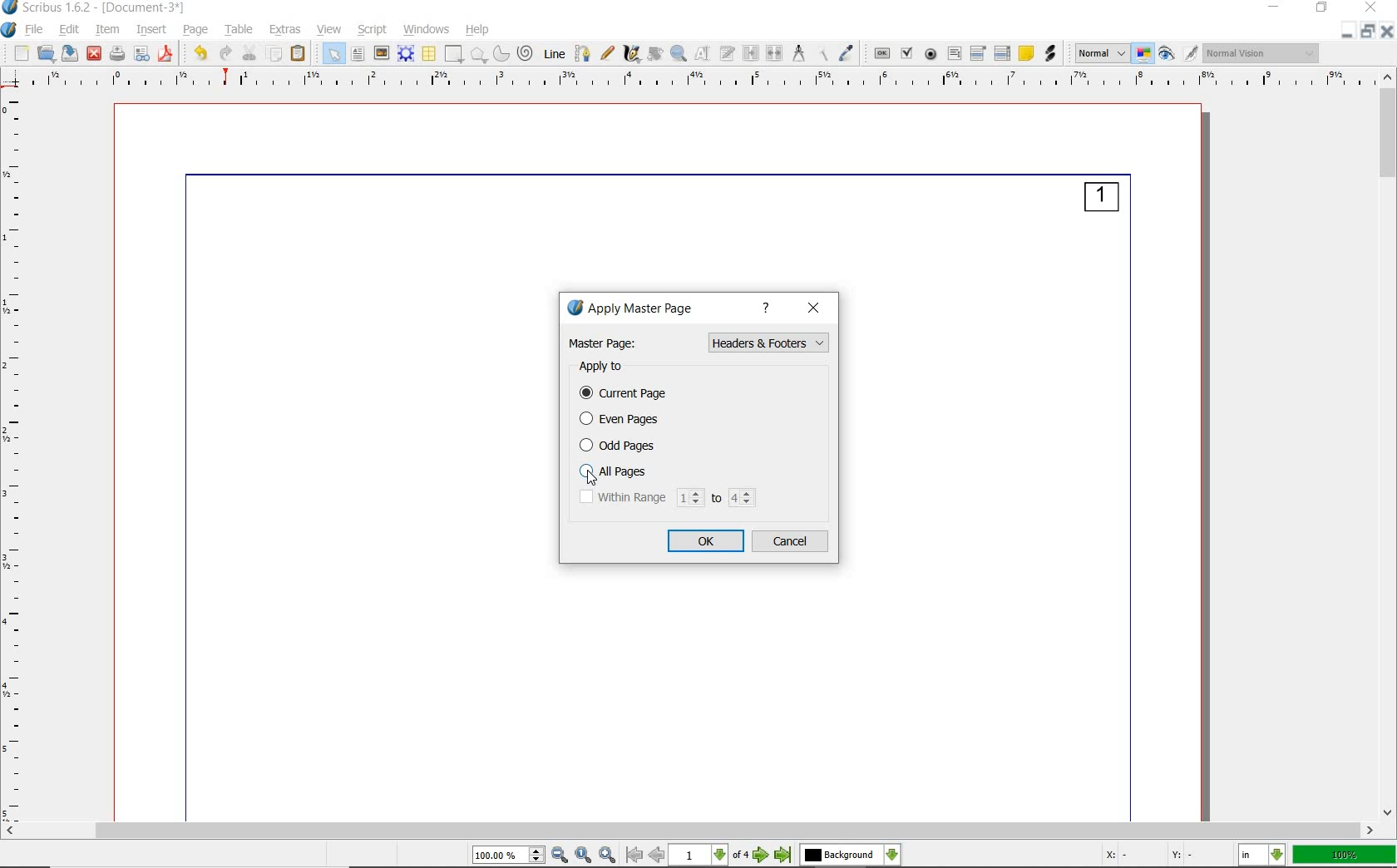 The height and width of the screenshot is (868, 1397). I want to click on Minimize, so click(1348, 32).